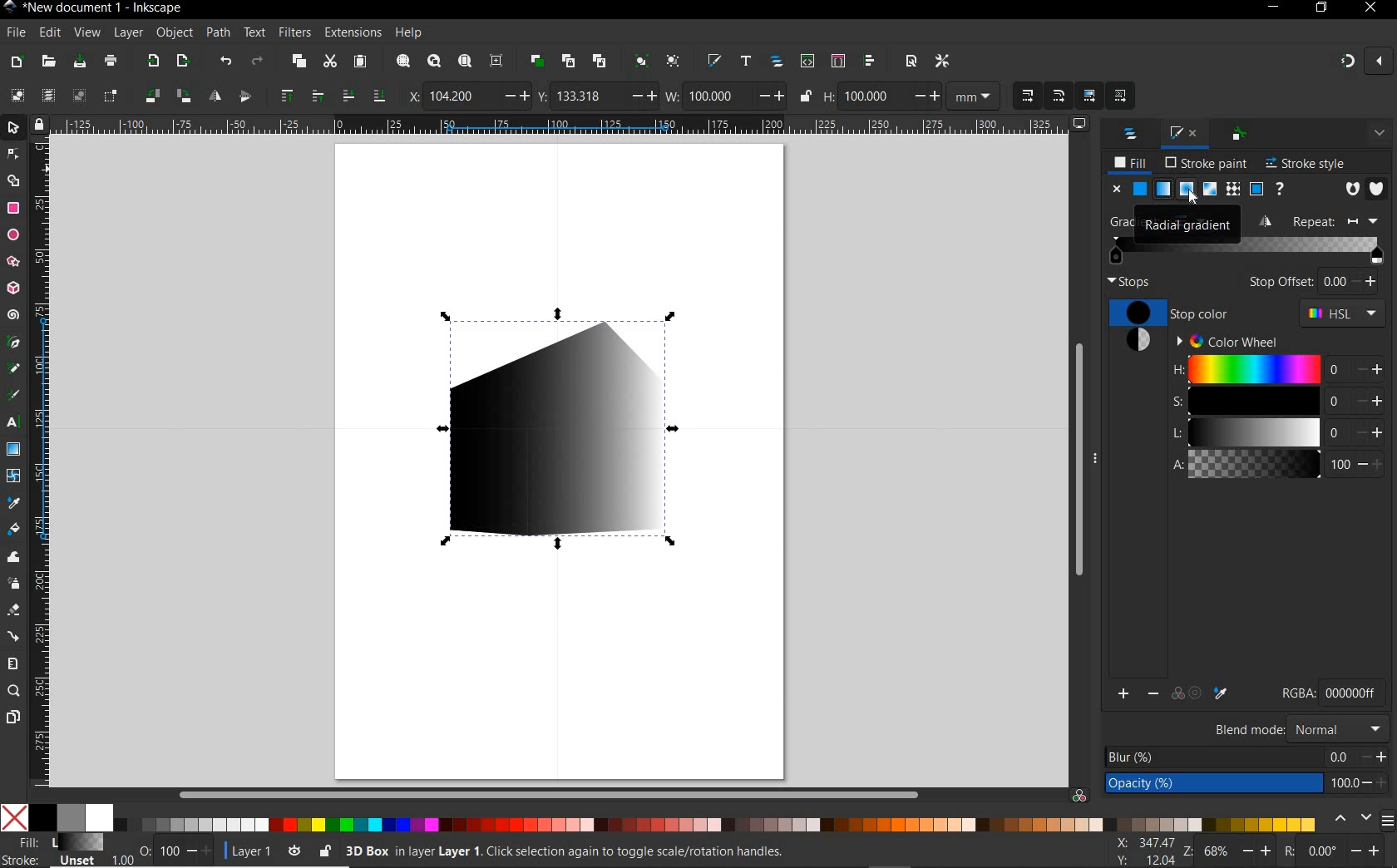  I want to click on CREATE CLONE, so click(569, 62).